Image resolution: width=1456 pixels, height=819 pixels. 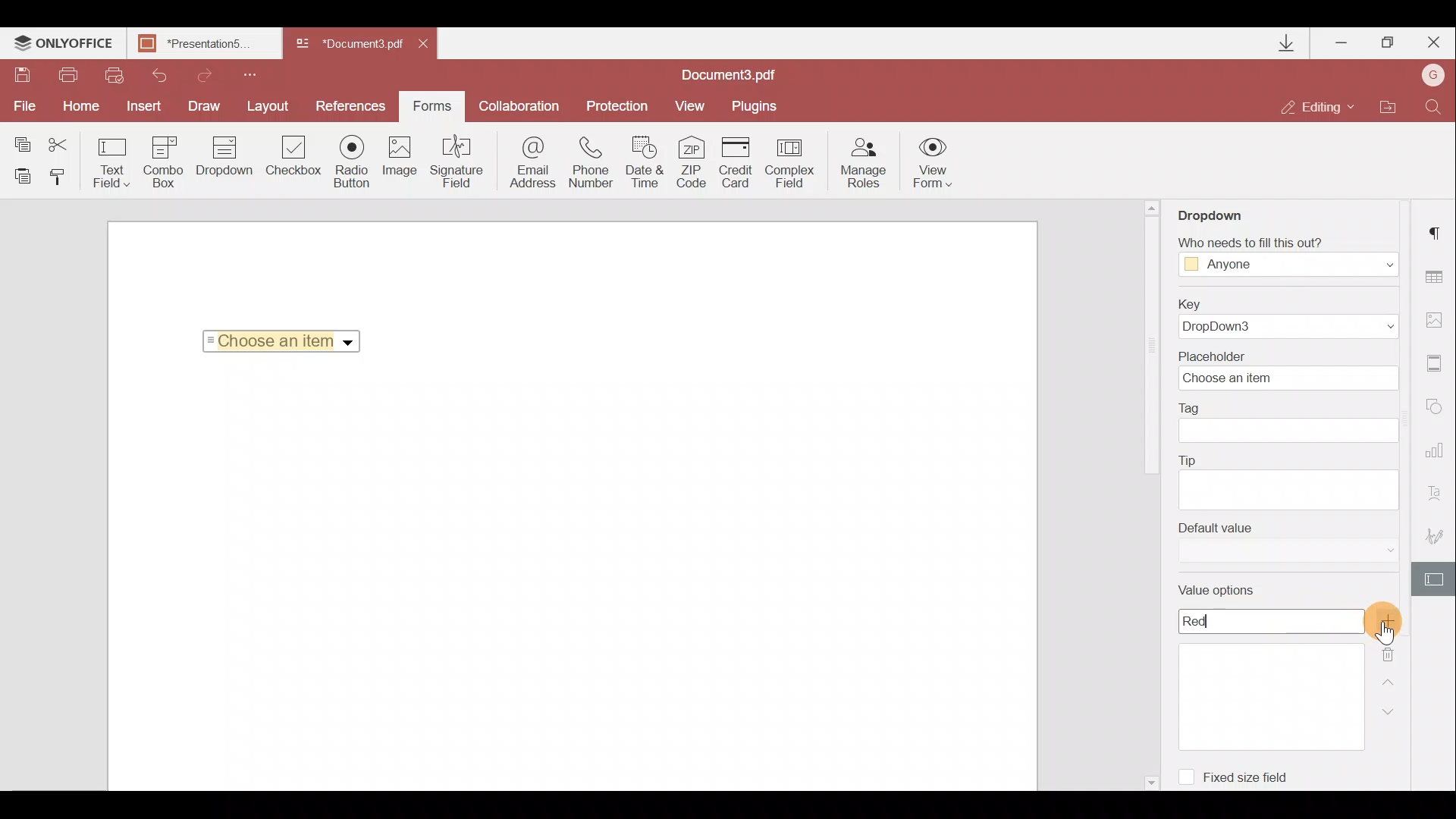 I want to click on Key, so click(x=1292, y=317).